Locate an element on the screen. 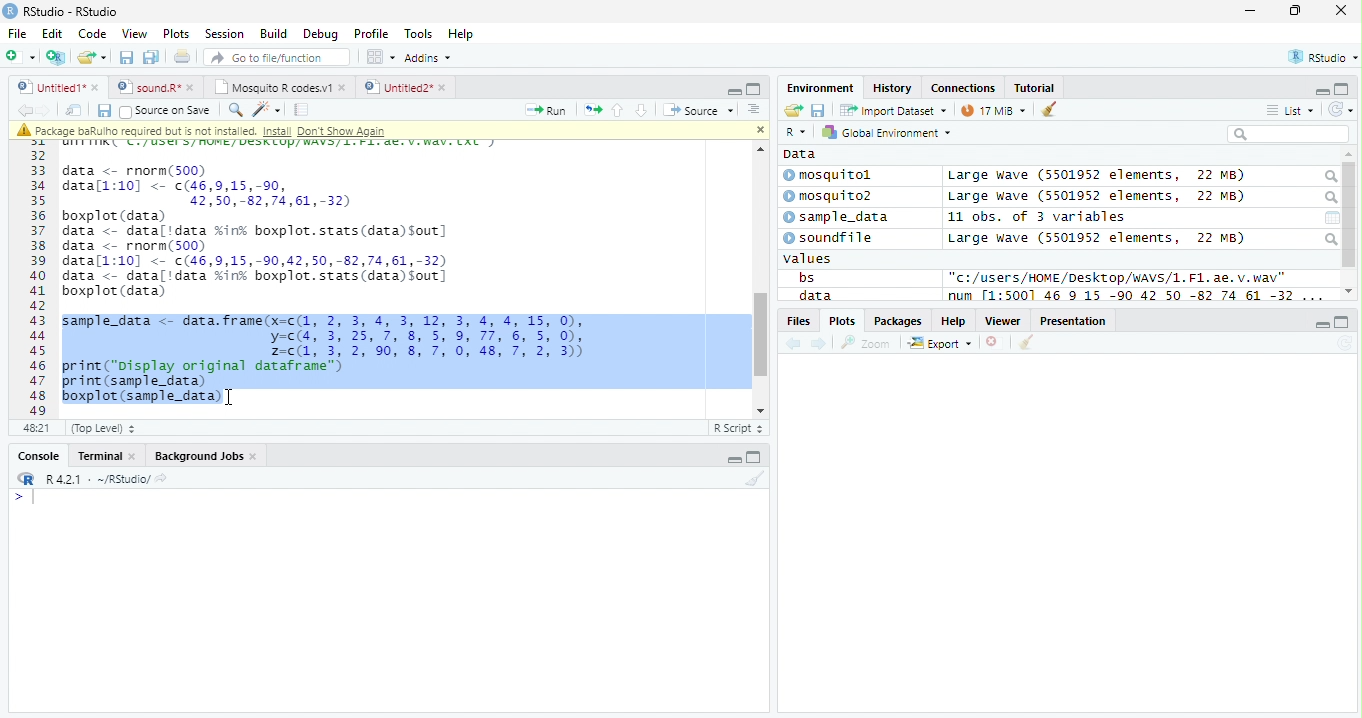  mosquito1 is located at coordinates (831, 176).